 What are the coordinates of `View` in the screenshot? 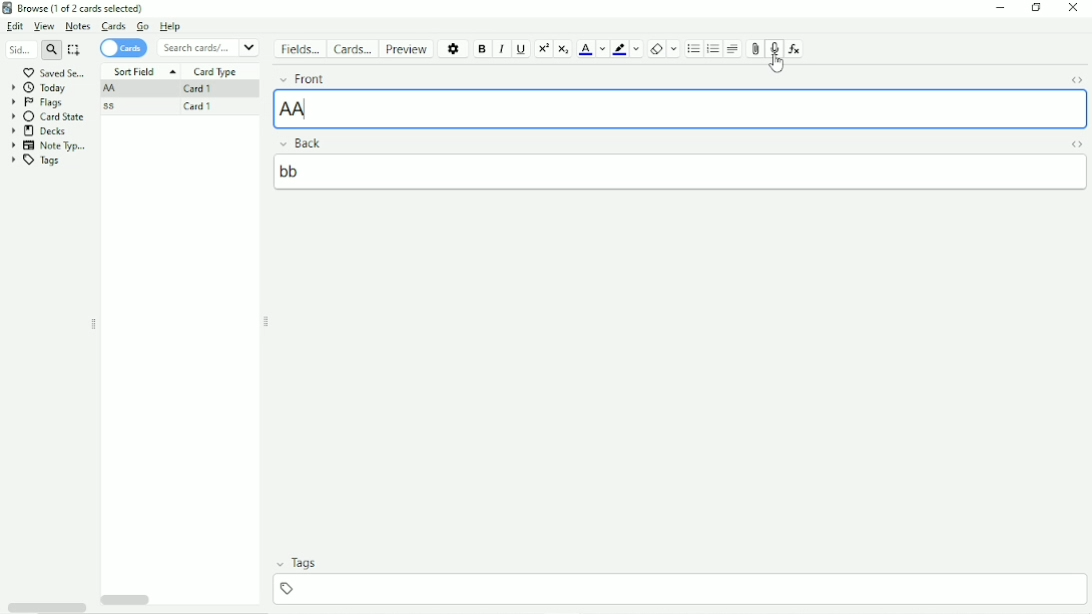 It's located at (44, 26).